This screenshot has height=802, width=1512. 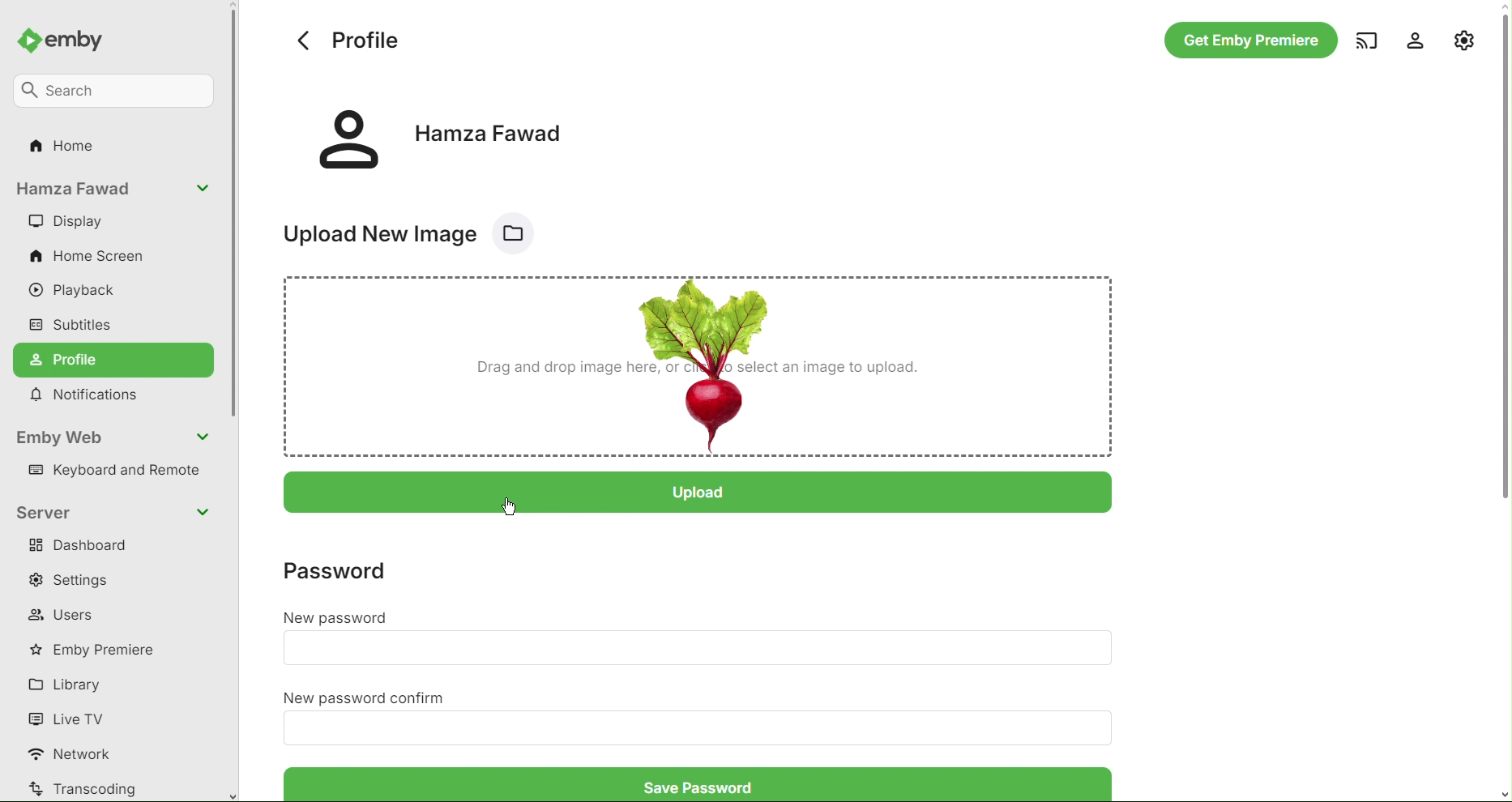 I want to click on New Password Confirm, so click(x=366, y=697).